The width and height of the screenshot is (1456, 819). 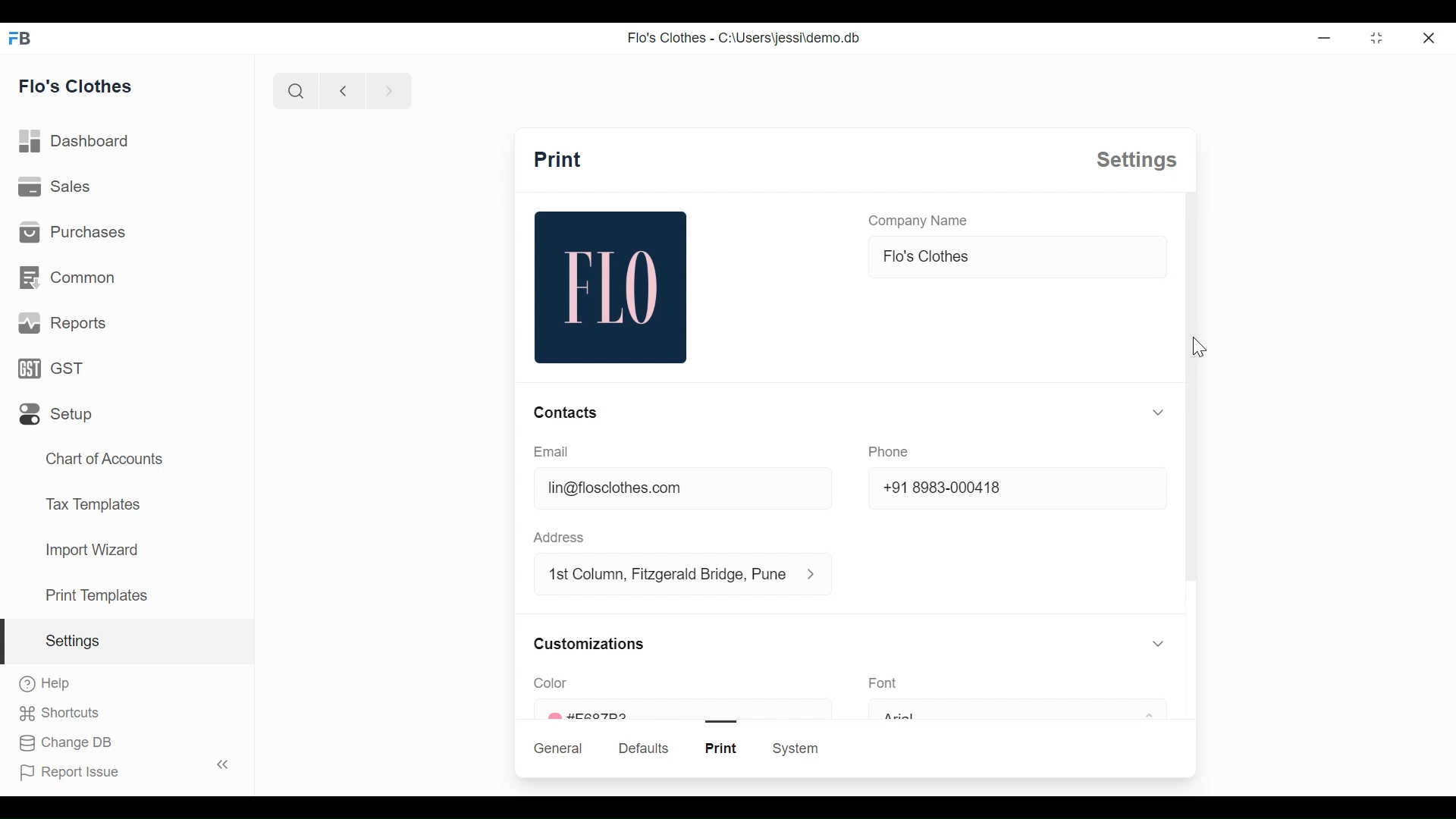 I want to click on email, so click(x=553, y=452).